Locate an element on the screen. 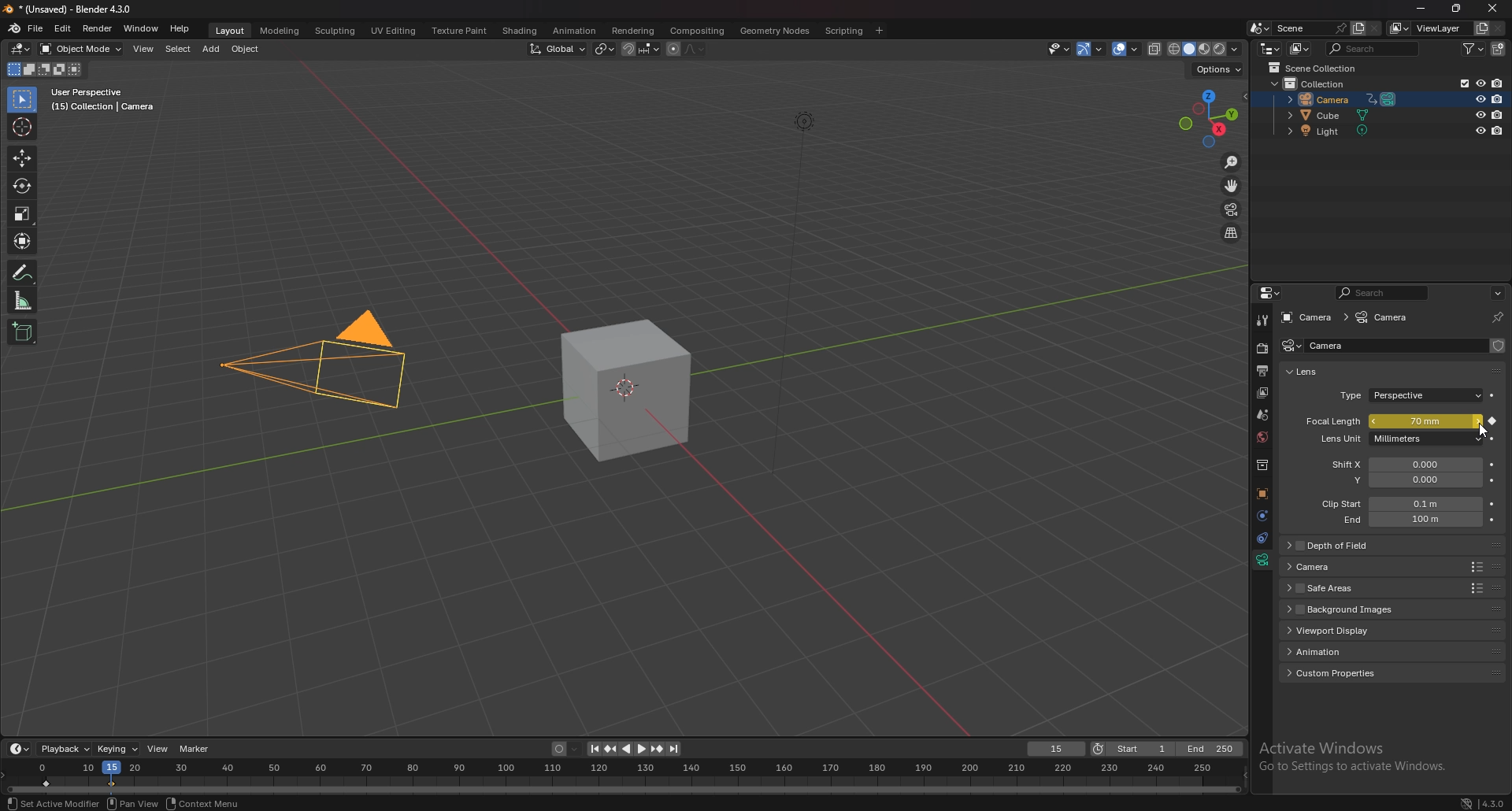 Image resolution: width=1512 pixels, height=811 pixels. zoom is located at coordinates (1230, 161).